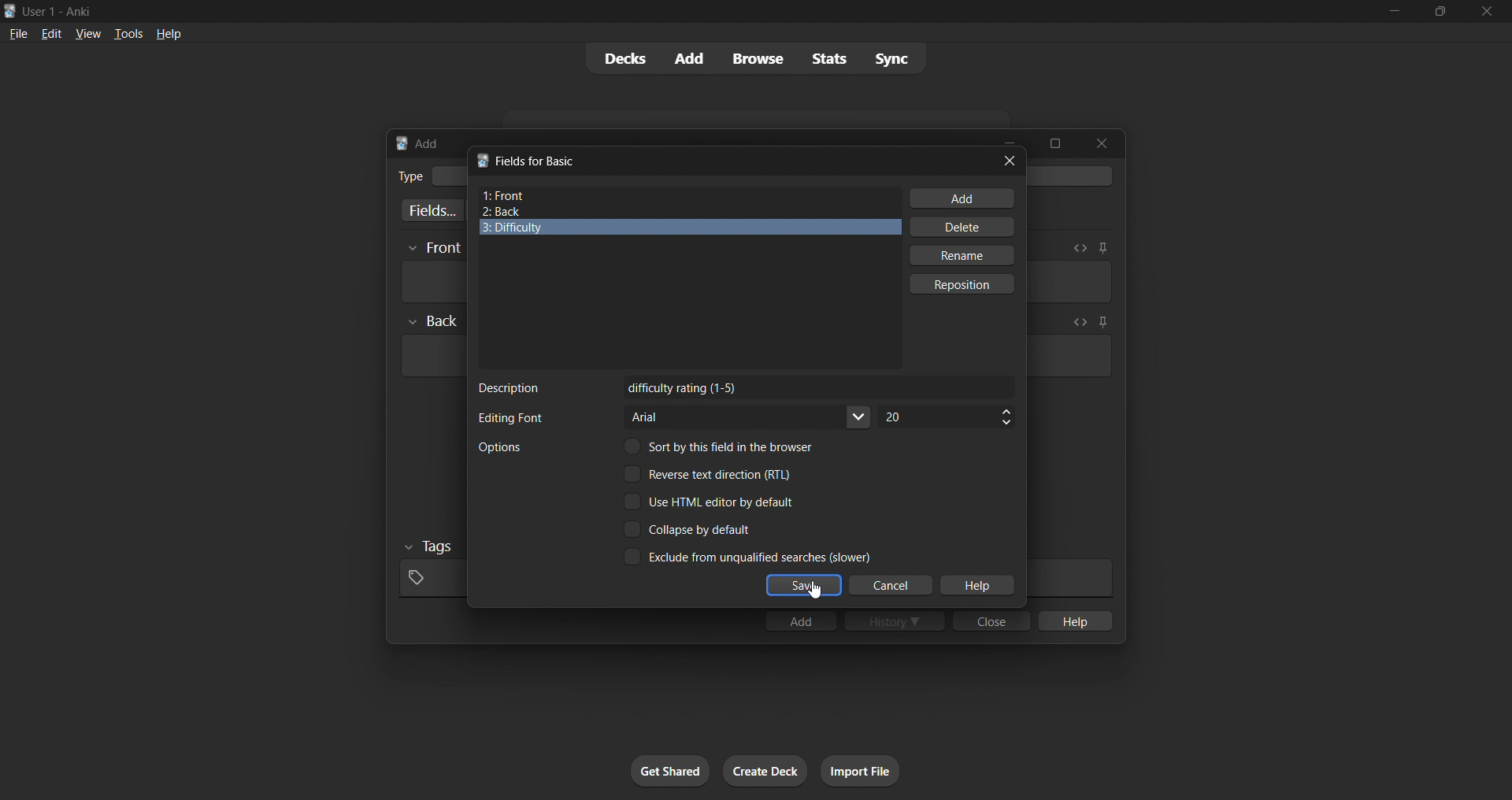 Image resolution: width=1512 pixels, height=800 pixels. I want to click on Text, so click(510, 418).